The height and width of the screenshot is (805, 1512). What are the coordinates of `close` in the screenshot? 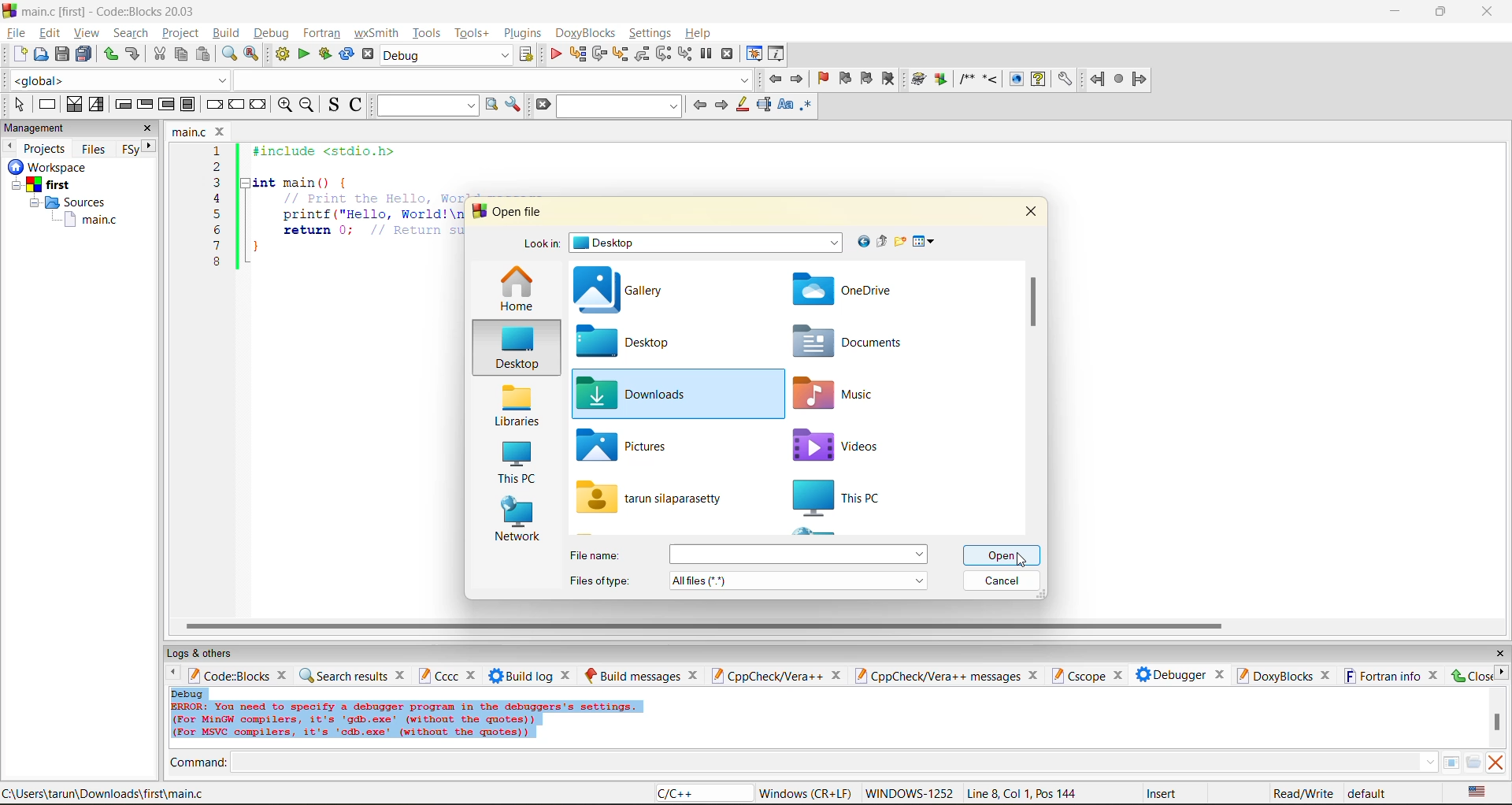 It's located at (694, 675).